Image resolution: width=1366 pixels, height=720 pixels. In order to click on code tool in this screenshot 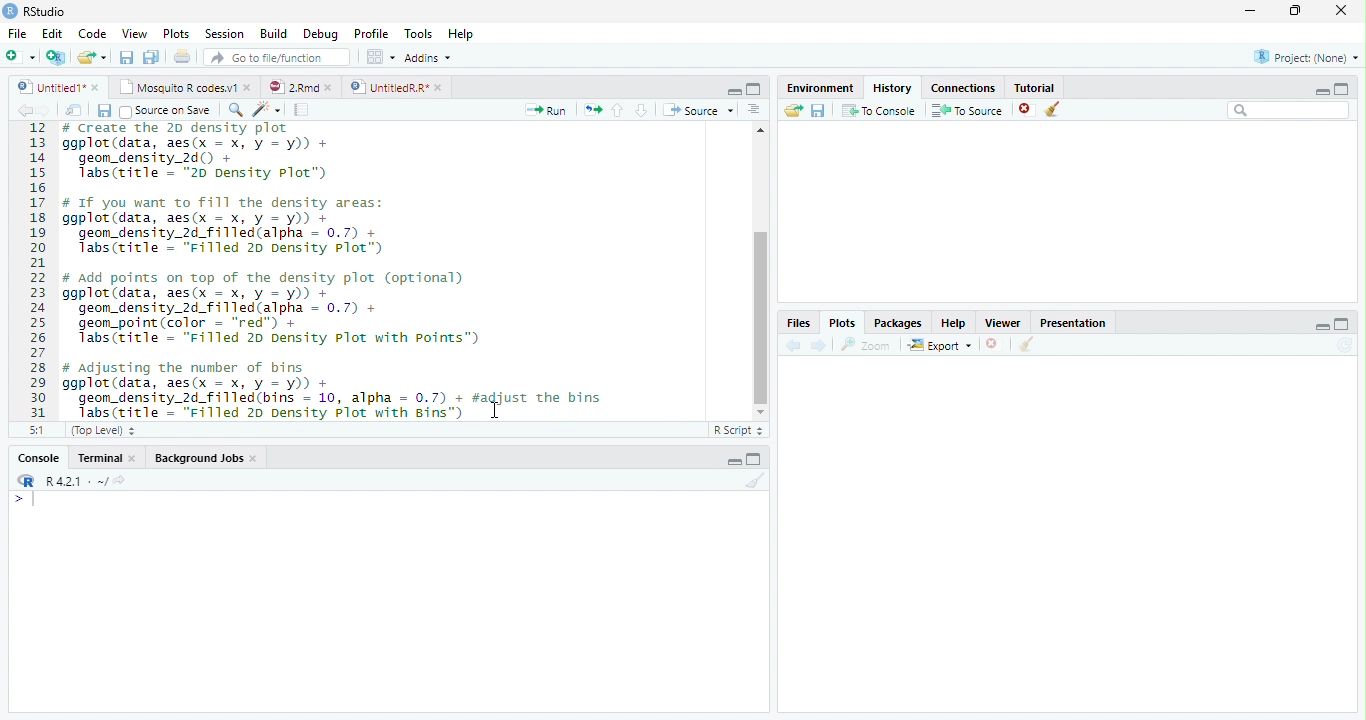, I will do `click(267, 110)`.